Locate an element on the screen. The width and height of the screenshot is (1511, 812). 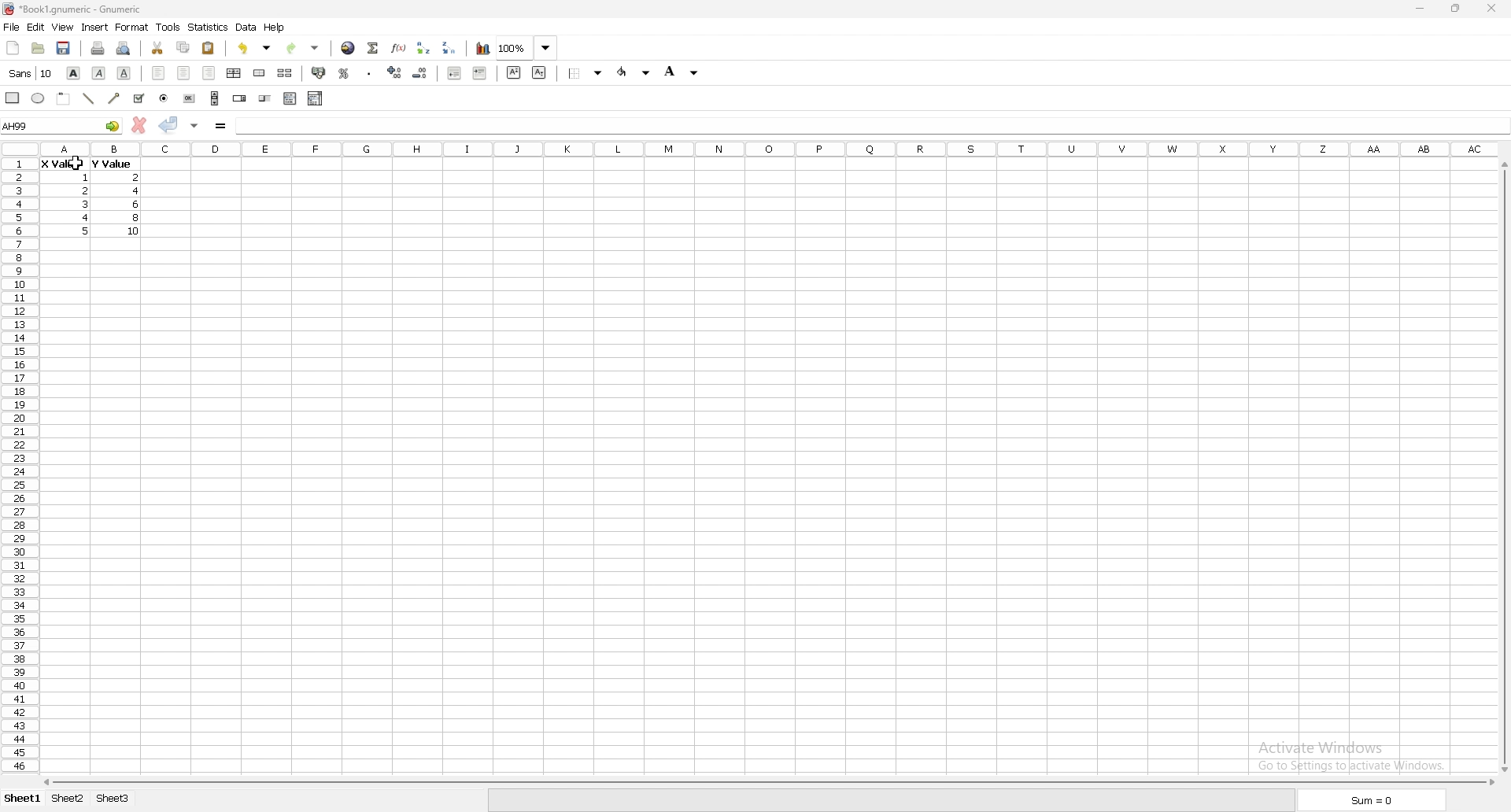
insert is located at coordinates (95, 27).